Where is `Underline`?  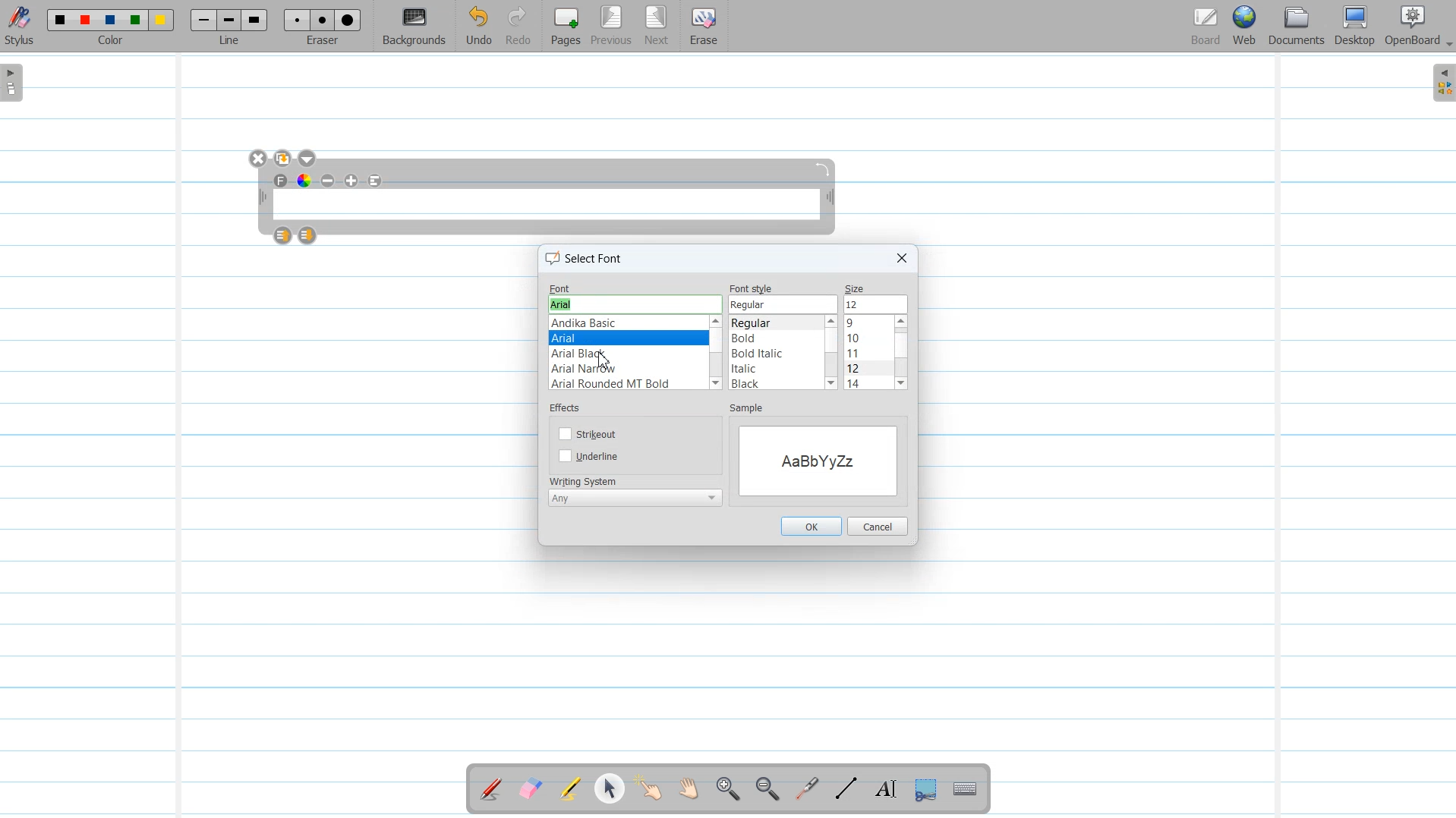
Underline is located at coordinates (591, 457).